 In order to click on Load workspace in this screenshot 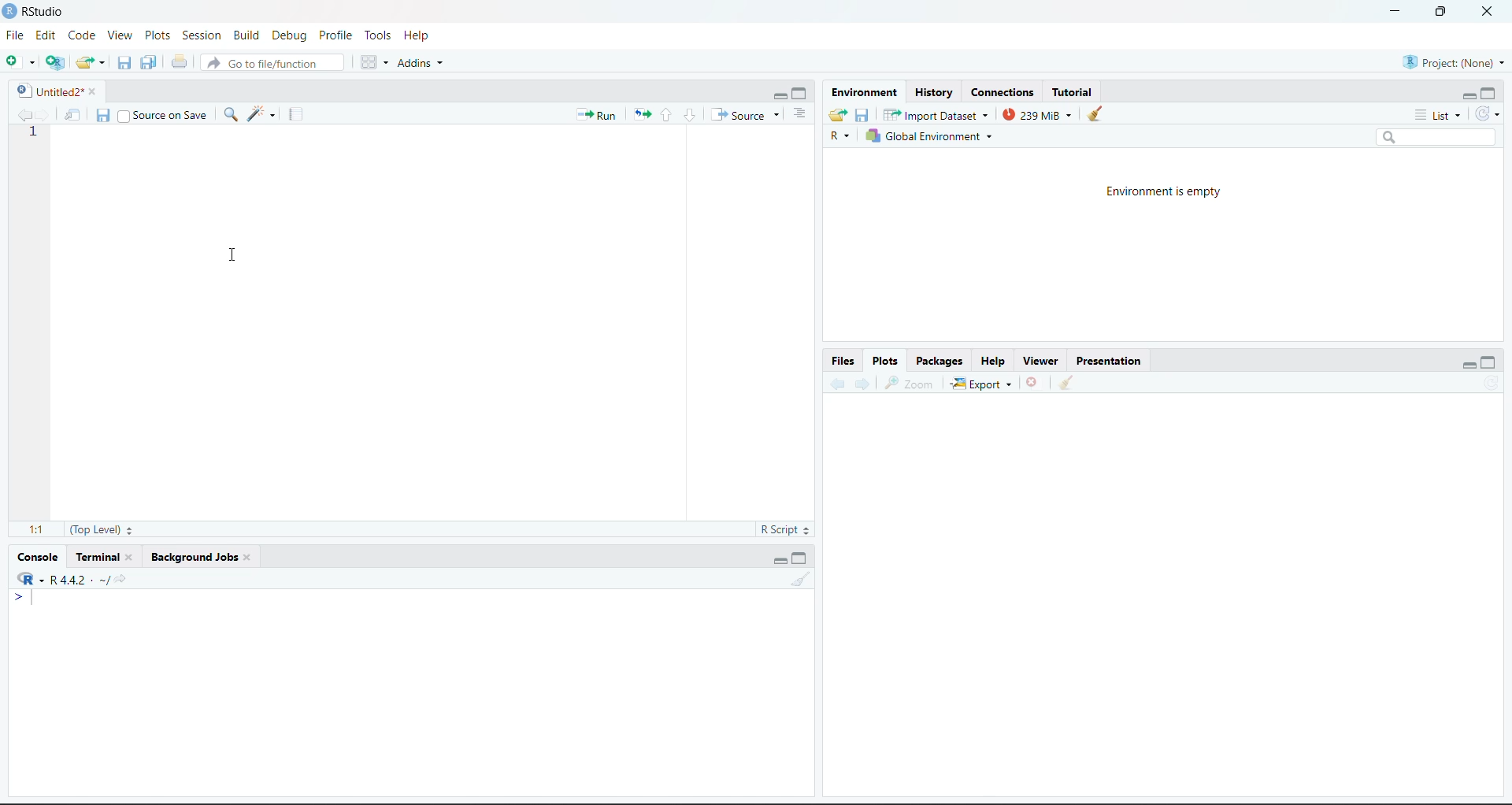, I will do `click(838, 117)`.